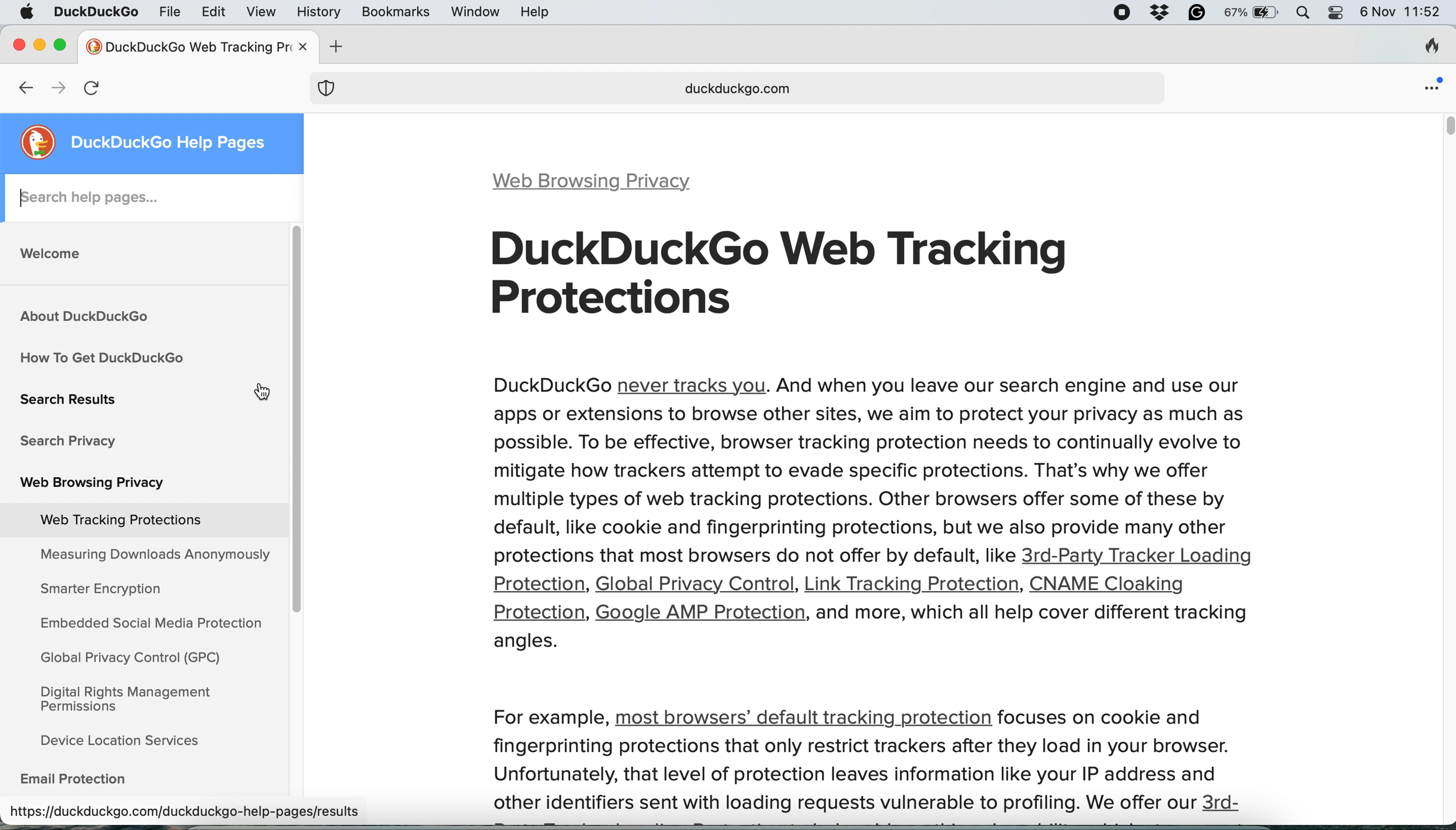 This screenshot has width=1456, height=830. What do you see at coordinates (600, 182) in the screenshot?
I see `web browsing privacy` at bounding box center [600, 182].